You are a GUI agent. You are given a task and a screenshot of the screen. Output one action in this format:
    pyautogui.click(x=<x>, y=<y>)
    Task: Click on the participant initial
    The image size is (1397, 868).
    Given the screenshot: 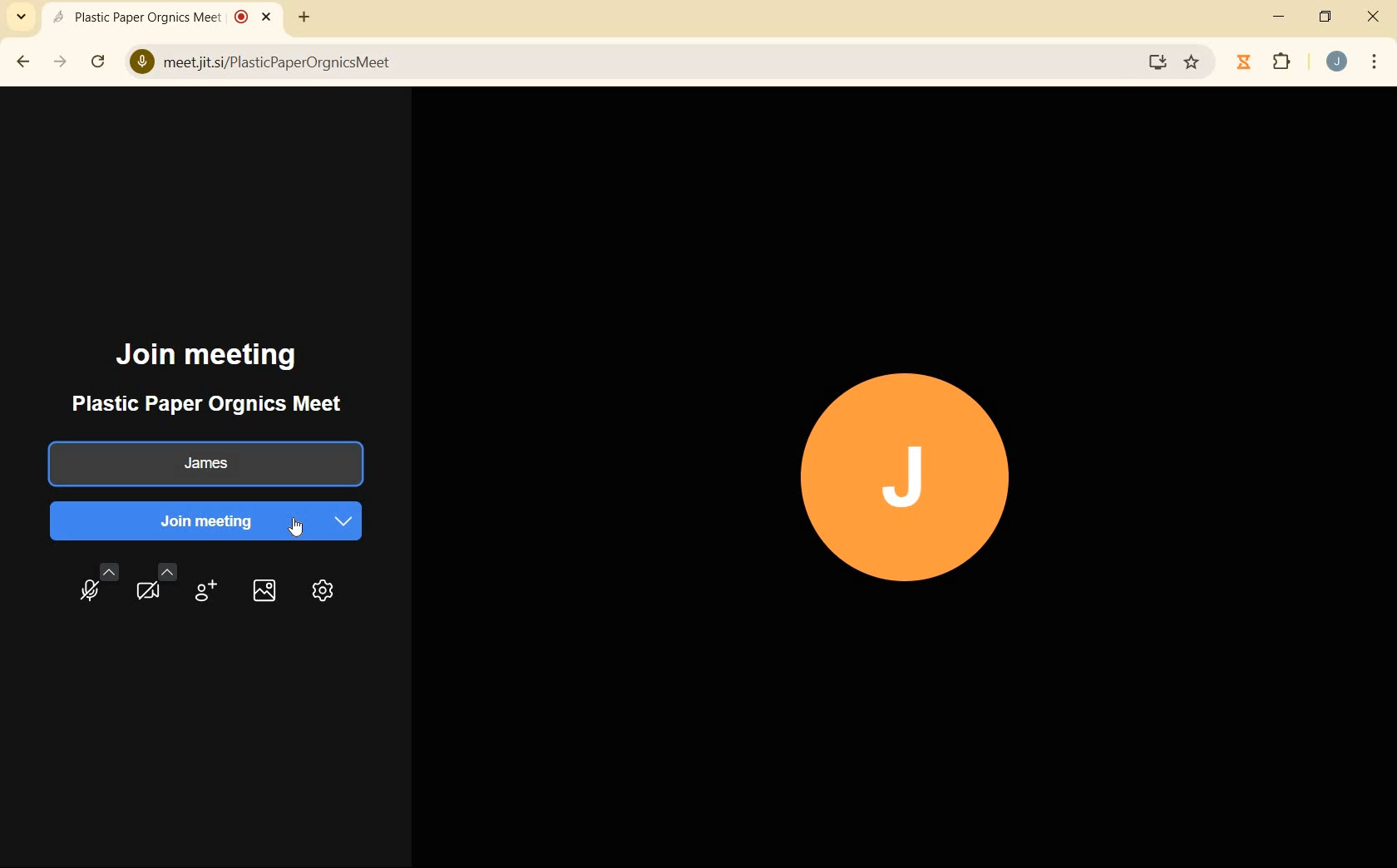 What is the action you would take?
    pyautogui.click(x=907, y=476)
    